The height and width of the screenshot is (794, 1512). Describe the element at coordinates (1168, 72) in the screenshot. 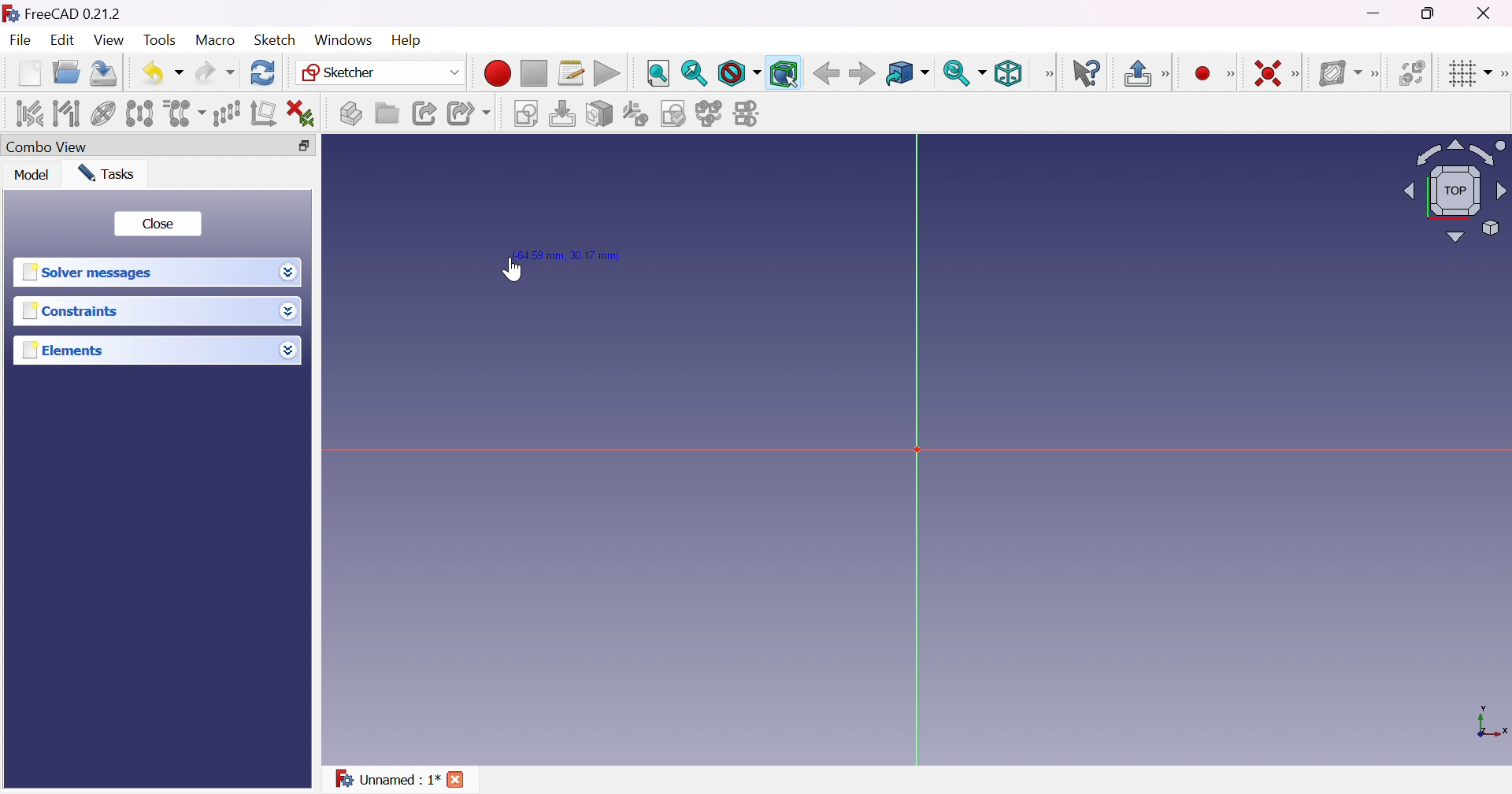

I see `[Sketcher edit mode]` at that location.